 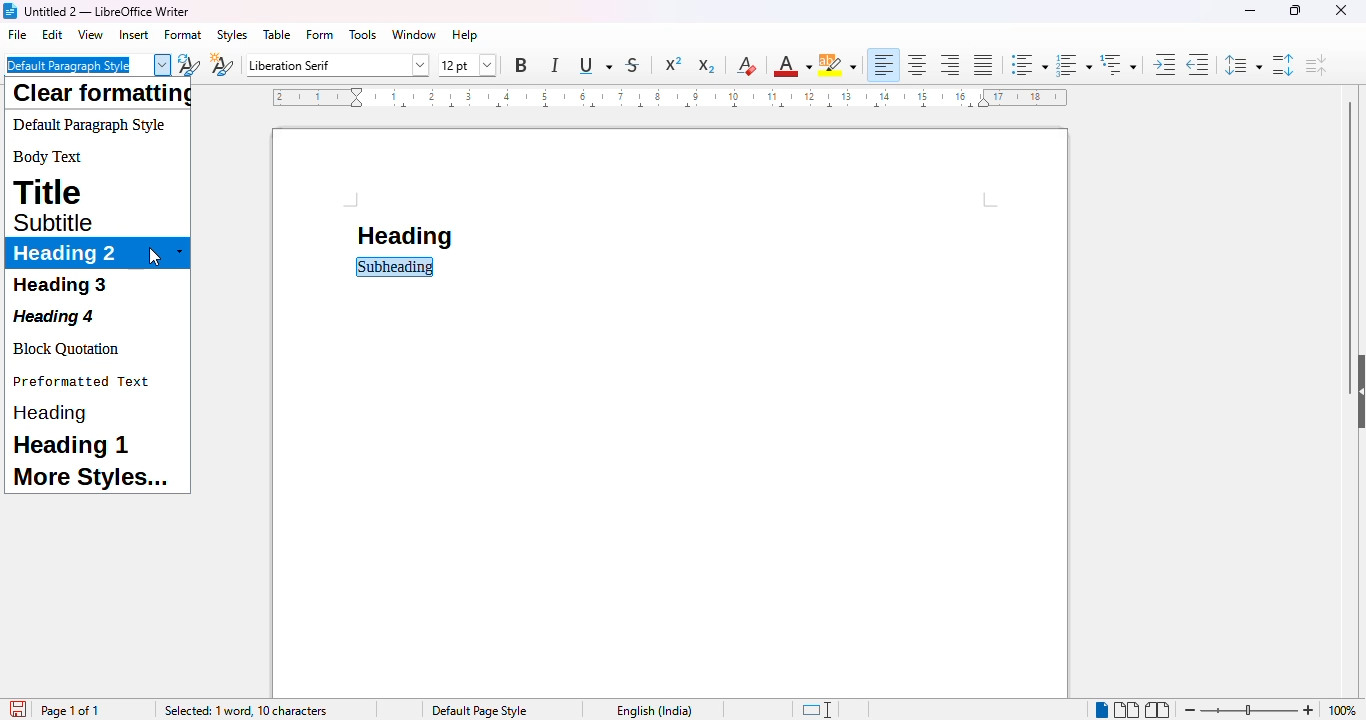 What do you see at coordinates (1190, 709) in the screenshot?
I see `zoom out` at bounding box center [1190, 709].